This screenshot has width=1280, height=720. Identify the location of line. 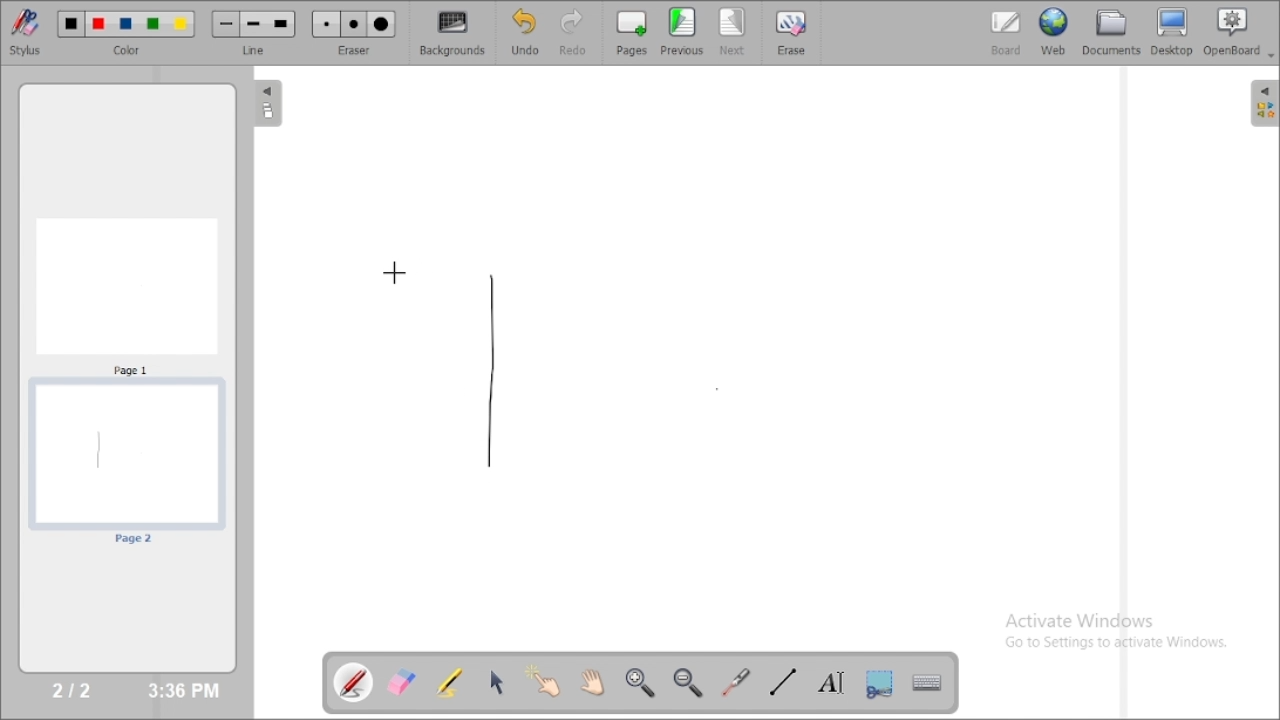
(490, 368).